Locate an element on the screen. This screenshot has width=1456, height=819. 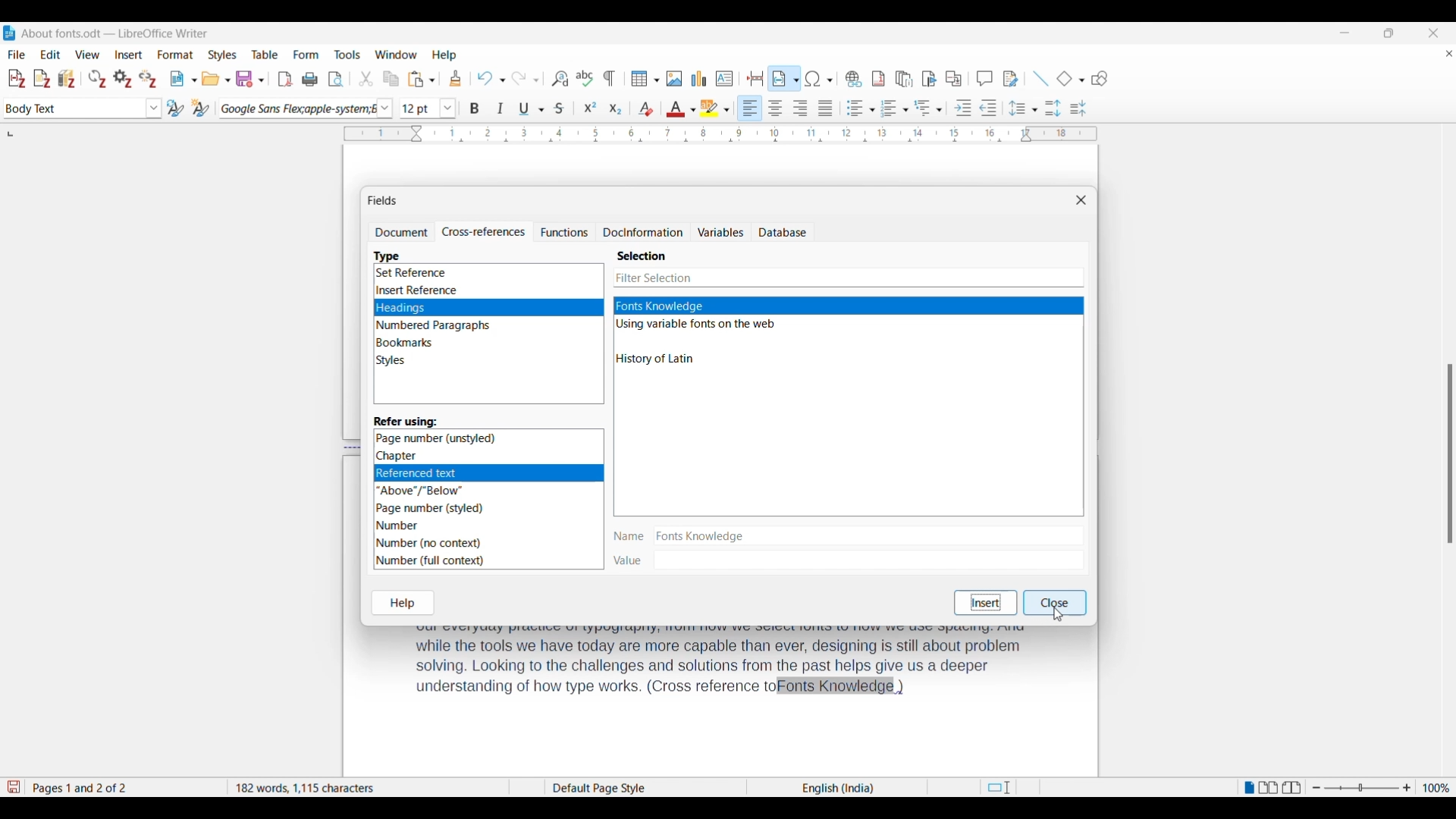
182 words, 1115 characters  is located at coordinates (366, 788).